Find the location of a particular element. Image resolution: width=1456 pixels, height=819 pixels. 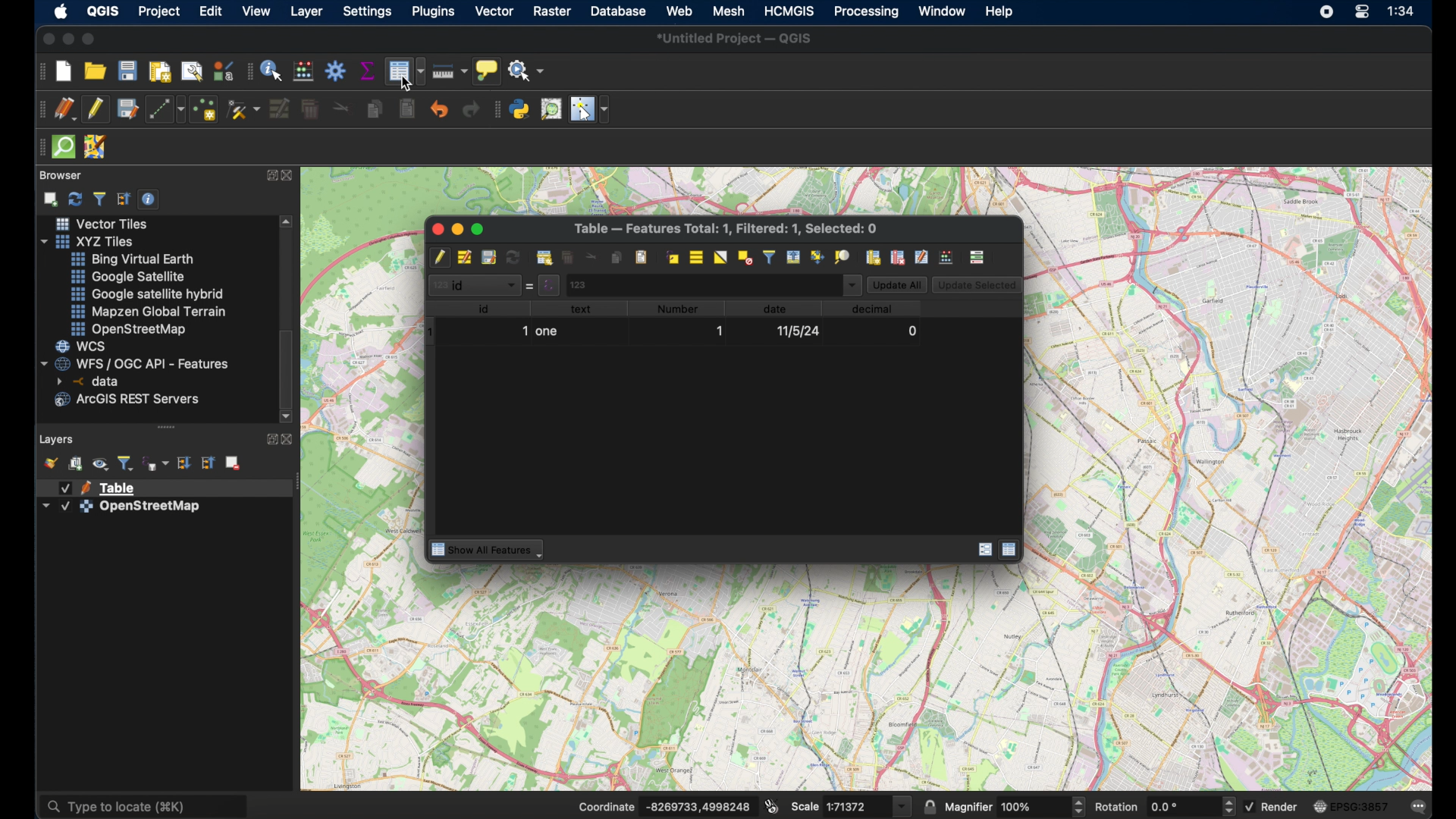

layer is located at coordinates (306, 11).